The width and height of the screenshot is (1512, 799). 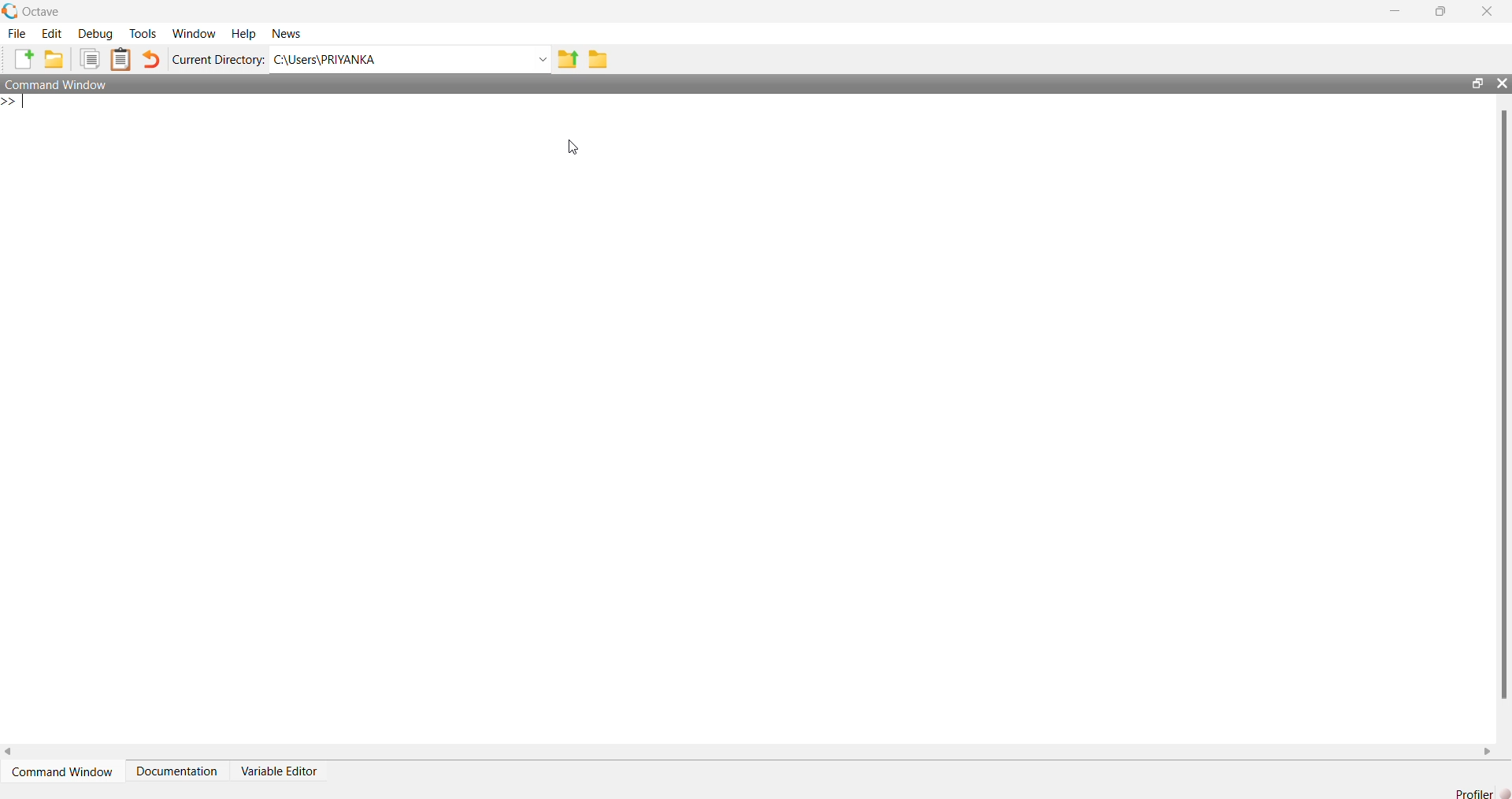 What do you see at coordinates (243, 33) in the screenshot?
I see `Help` at bounding box center [243, 33].